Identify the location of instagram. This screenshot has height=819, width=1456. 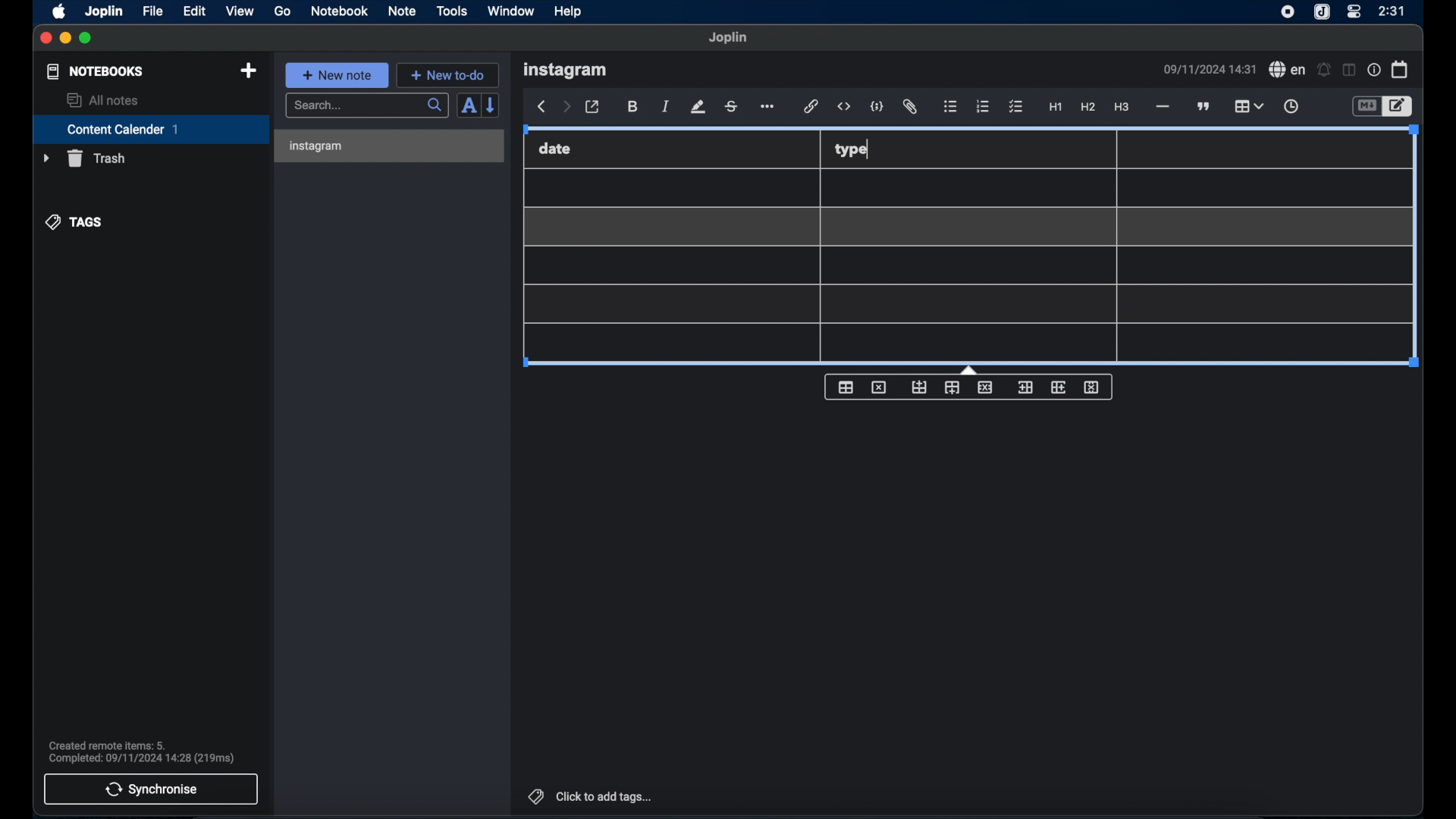
(318, 146).